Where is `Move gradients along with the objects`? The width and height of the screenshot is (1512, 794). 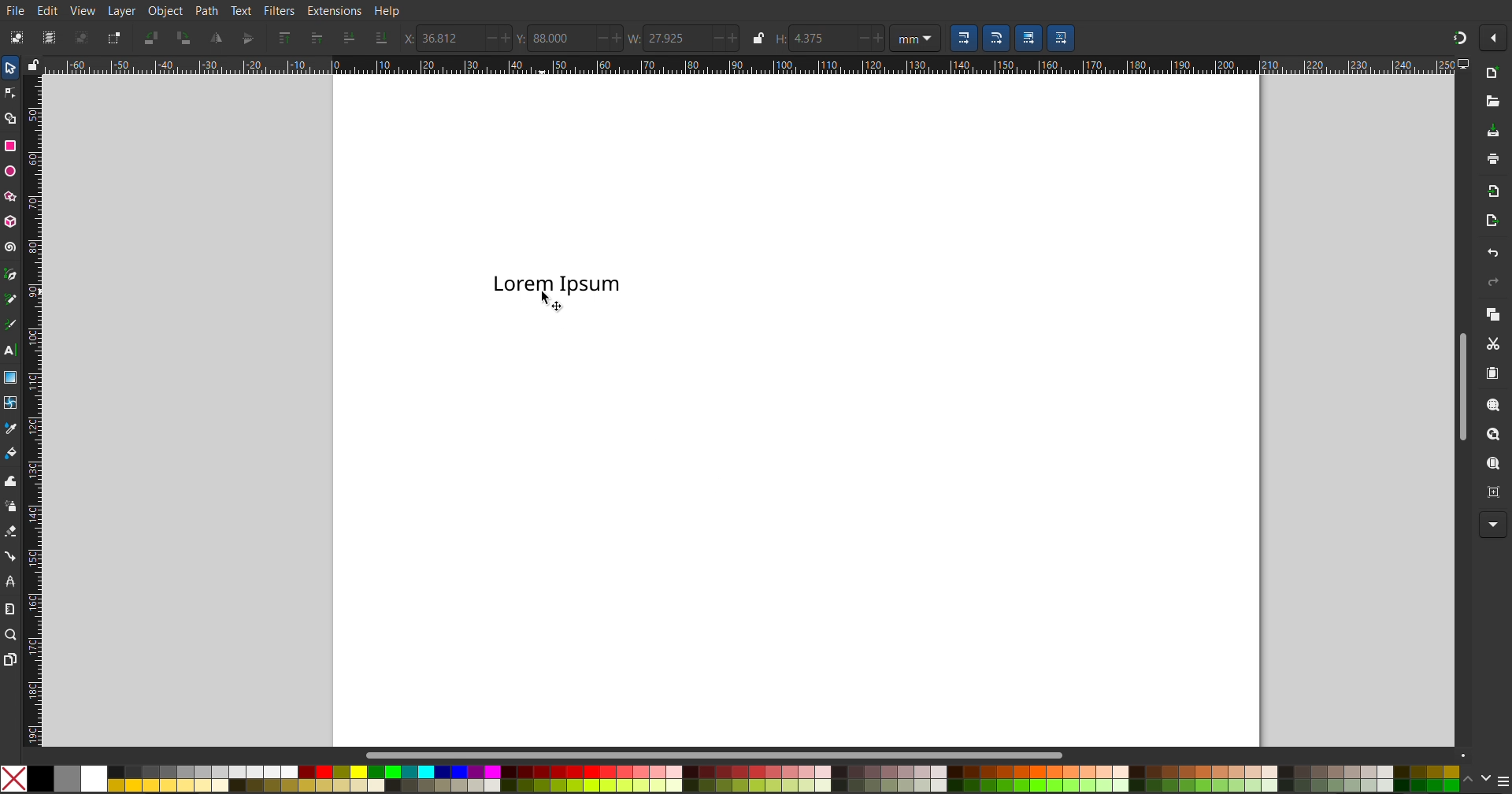 Move gradients along with the objects is located at coordinates (1028, 39).